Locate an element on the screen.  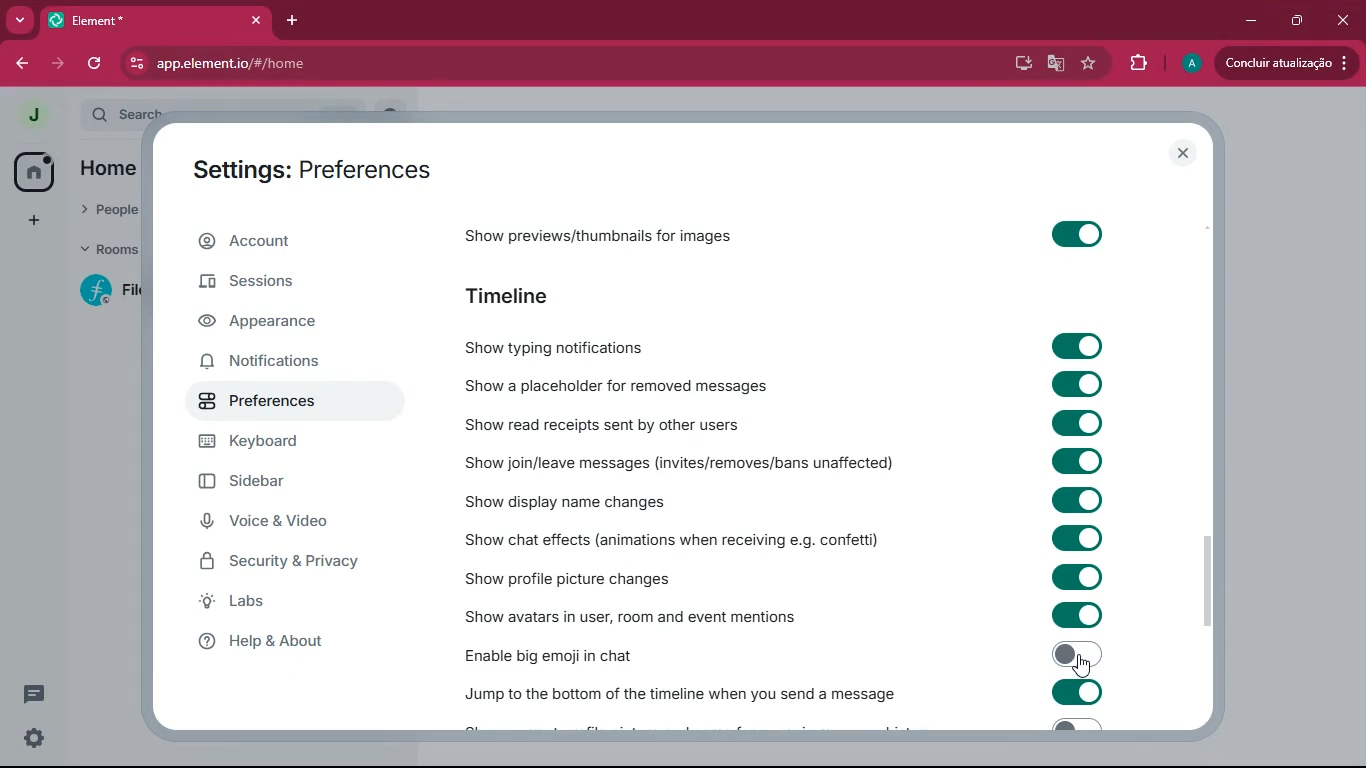
restore down  is located at coordinates (1299, 20).